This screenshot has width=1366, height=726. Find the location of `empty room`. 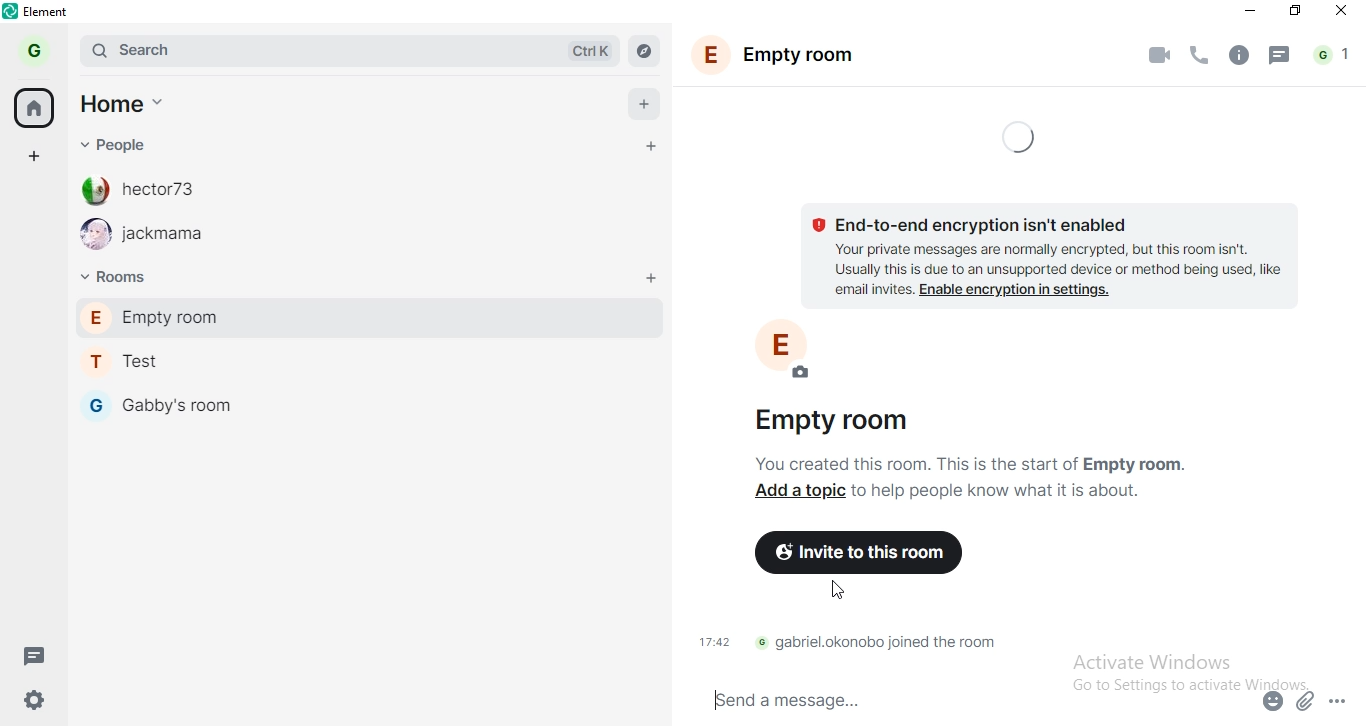

empty room is located at coordinates (786, 50).